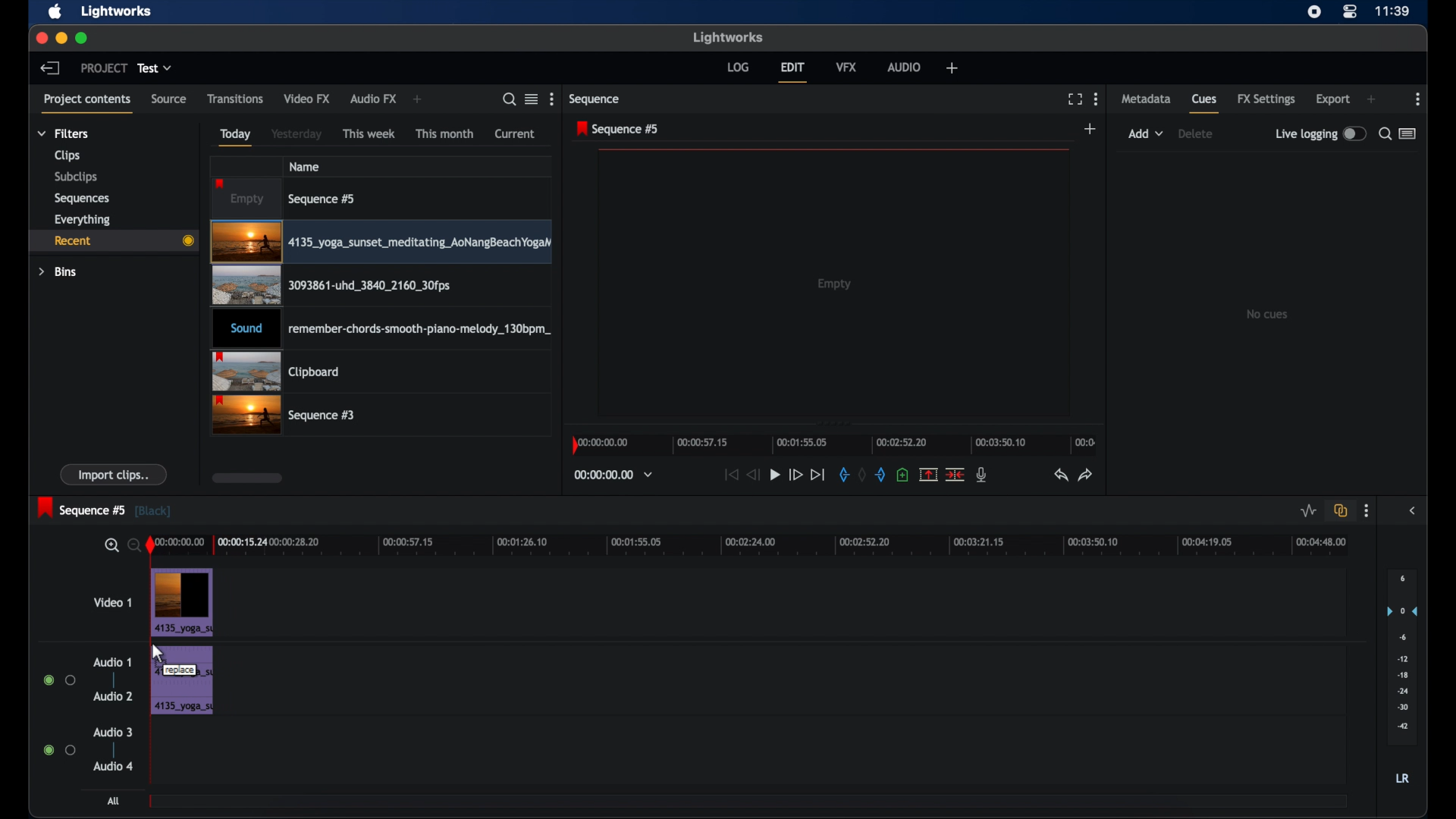  Describe the element at coordinates (842, 475) in the screenshot. I see `in mark` at that location.